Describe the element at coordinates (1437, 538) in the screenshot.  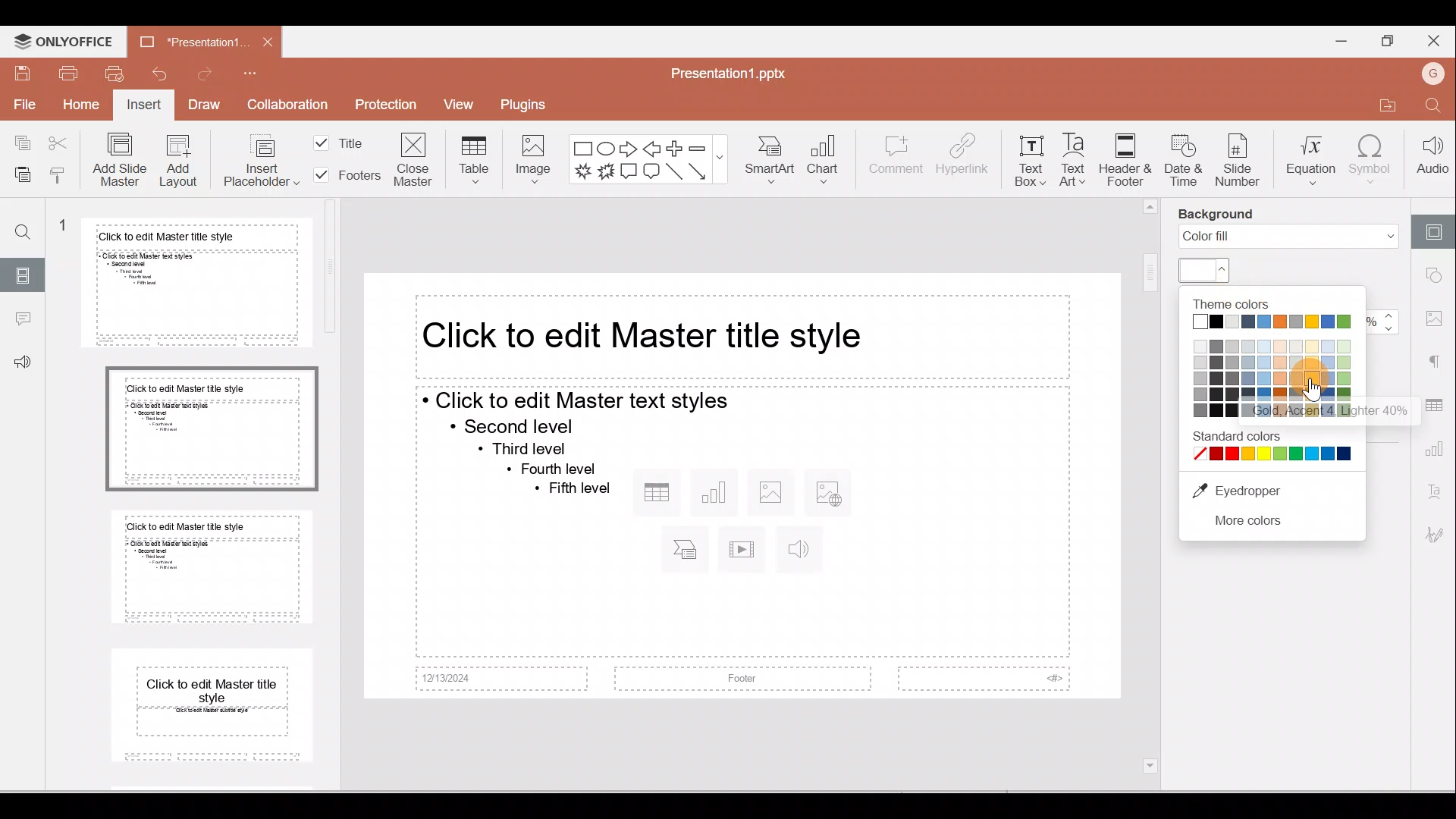
I see `Signature settings` at that location.